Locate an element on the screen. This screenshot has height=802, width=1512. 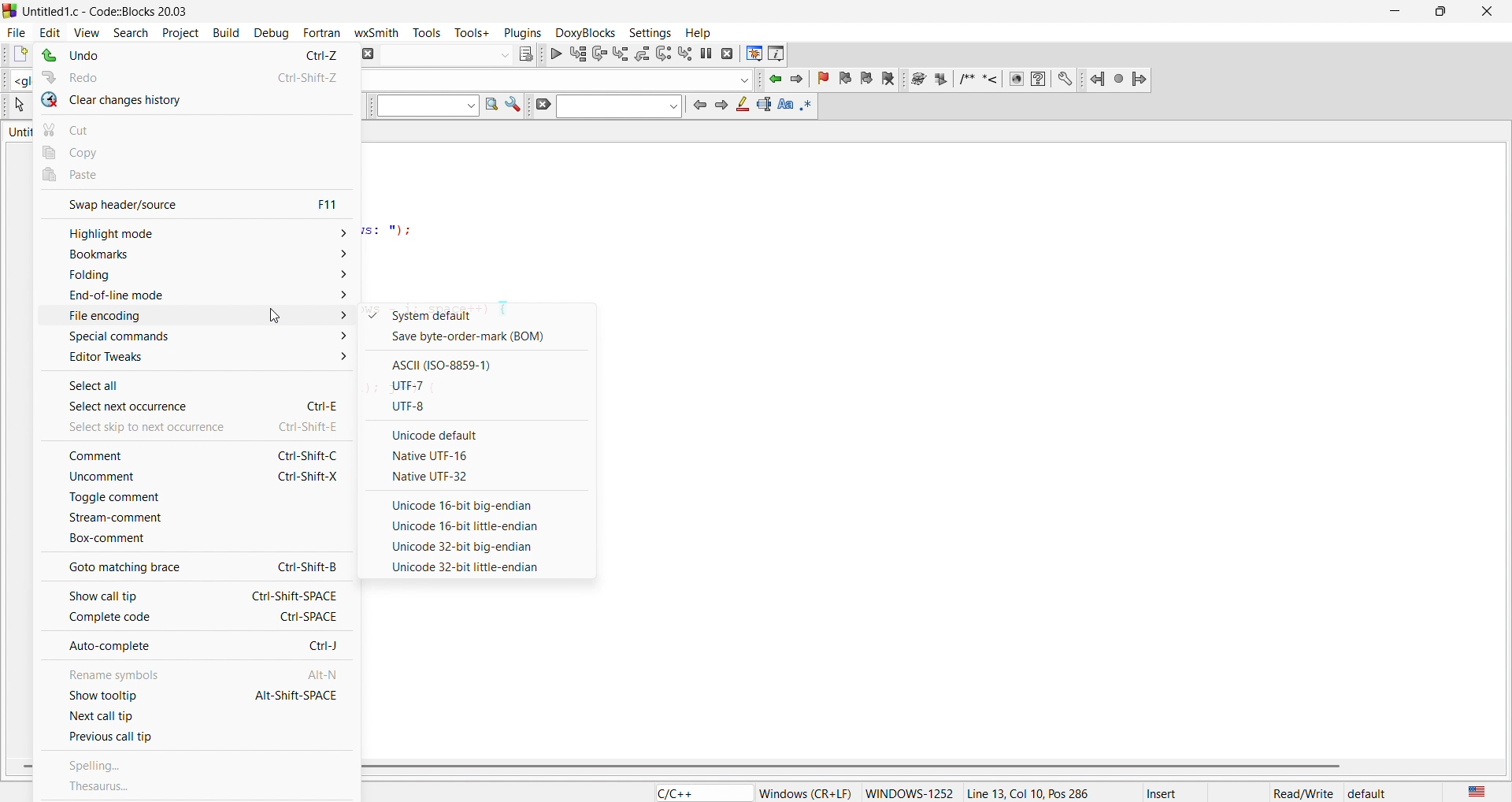
insert comment box is located at coordinates (967, 81).